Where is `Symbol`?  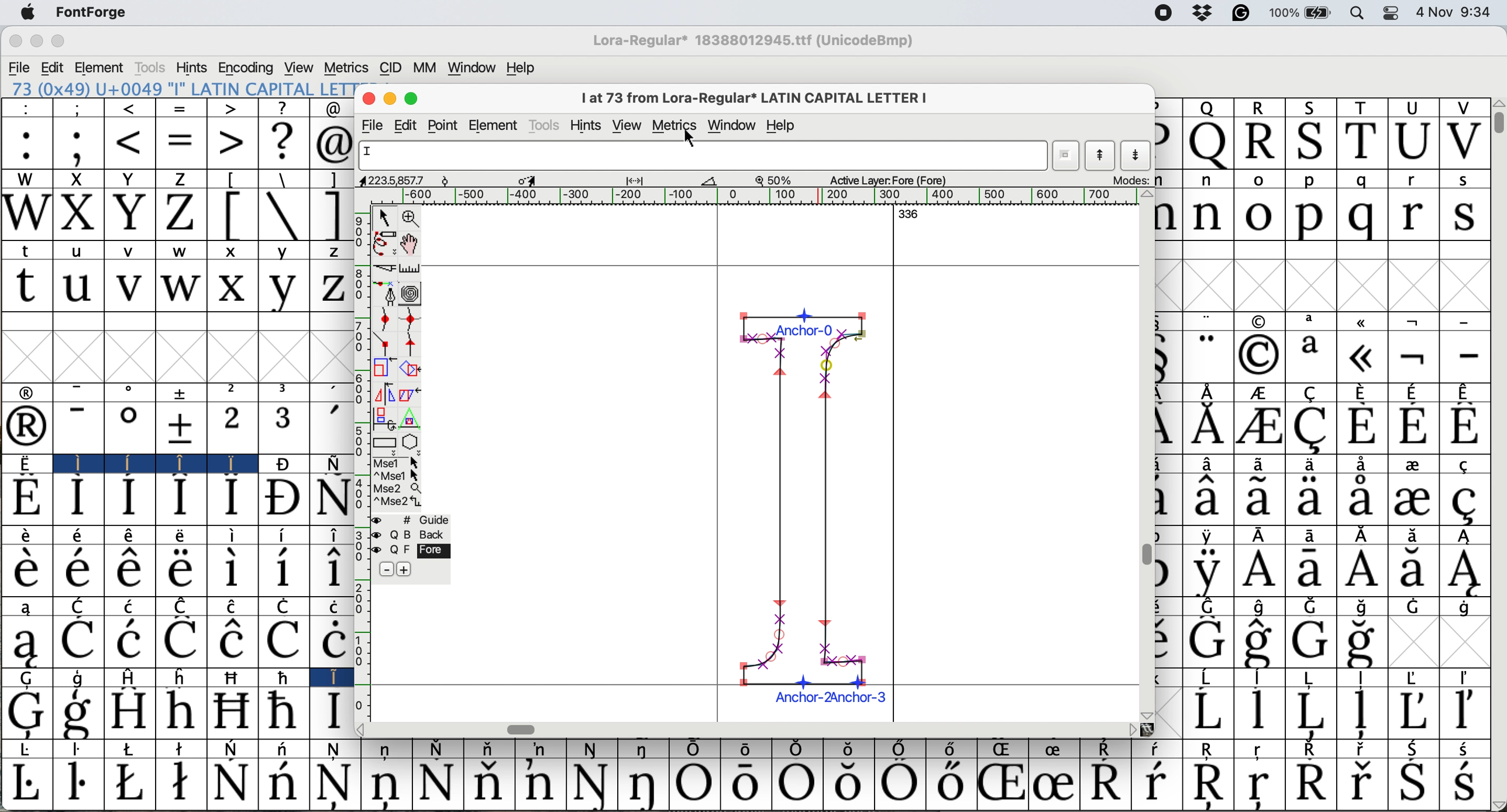 Symbol is located at coordinates (592, 784).